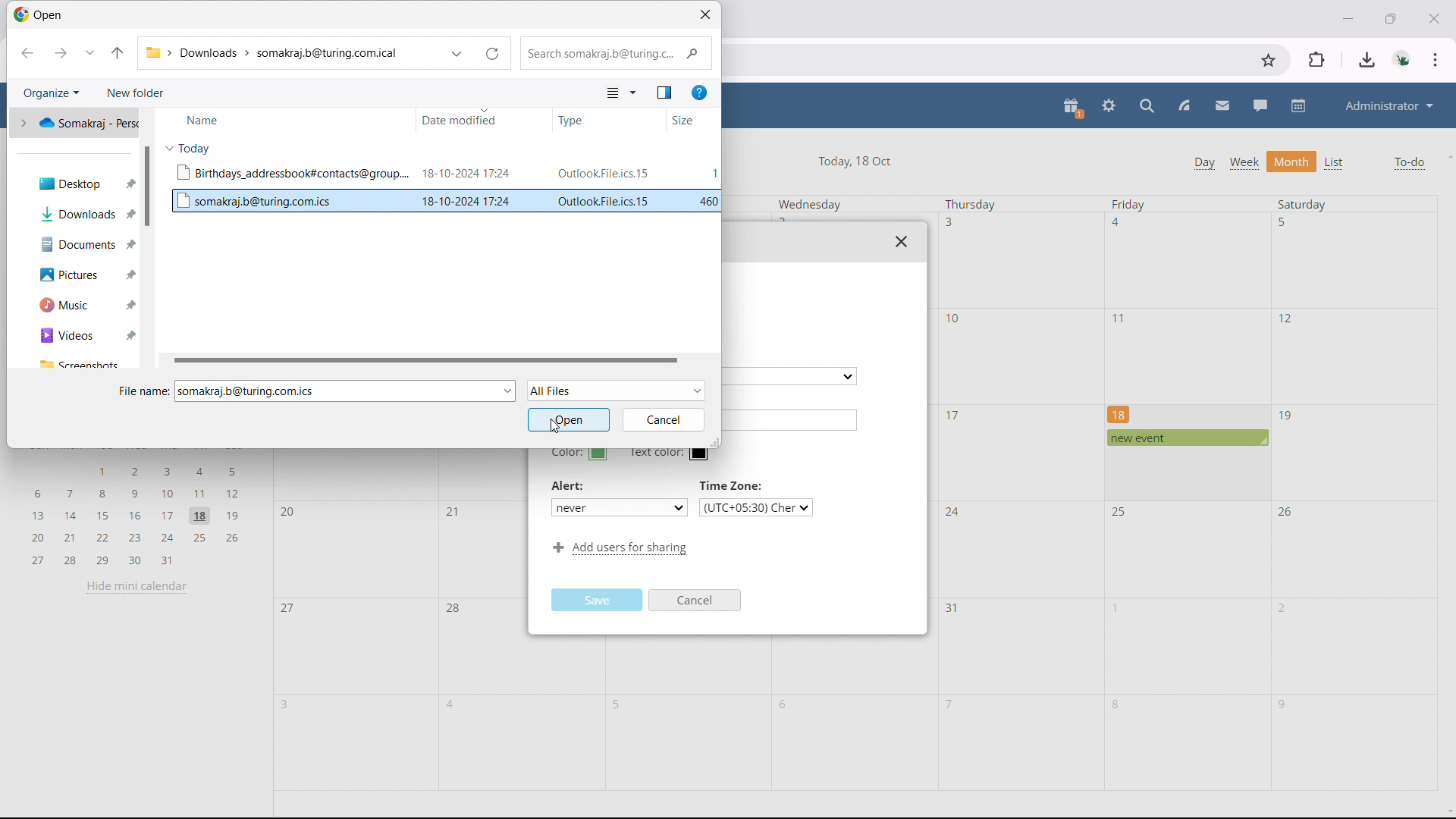  What do you see at coordinates (599, 599) in the screenshot?
I see `Save` at bounding box center [599, 599].